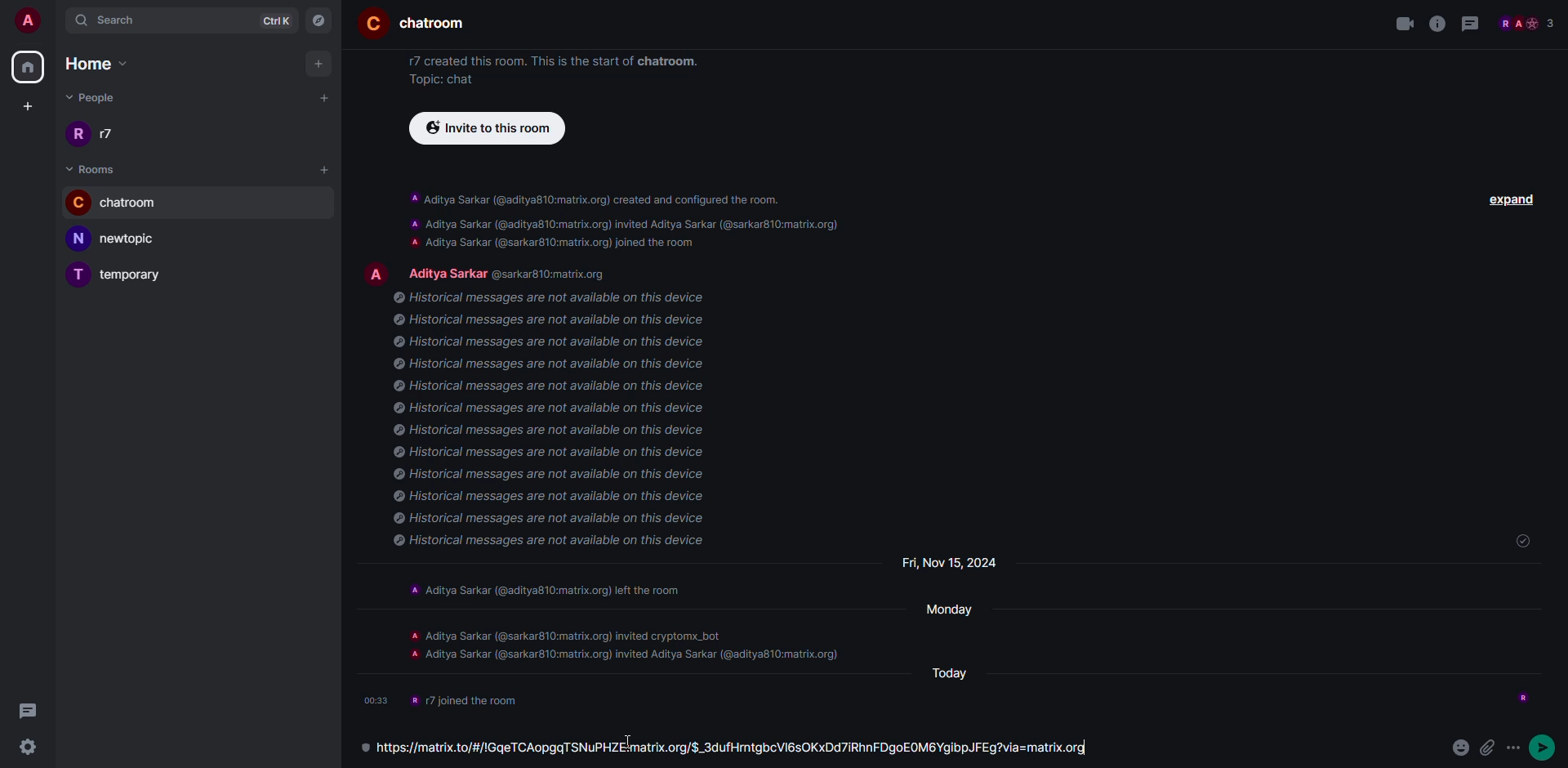  What do you see at coordinates (100, 100) in the screenshot?
I see `people` at bounding box center [100, 100].